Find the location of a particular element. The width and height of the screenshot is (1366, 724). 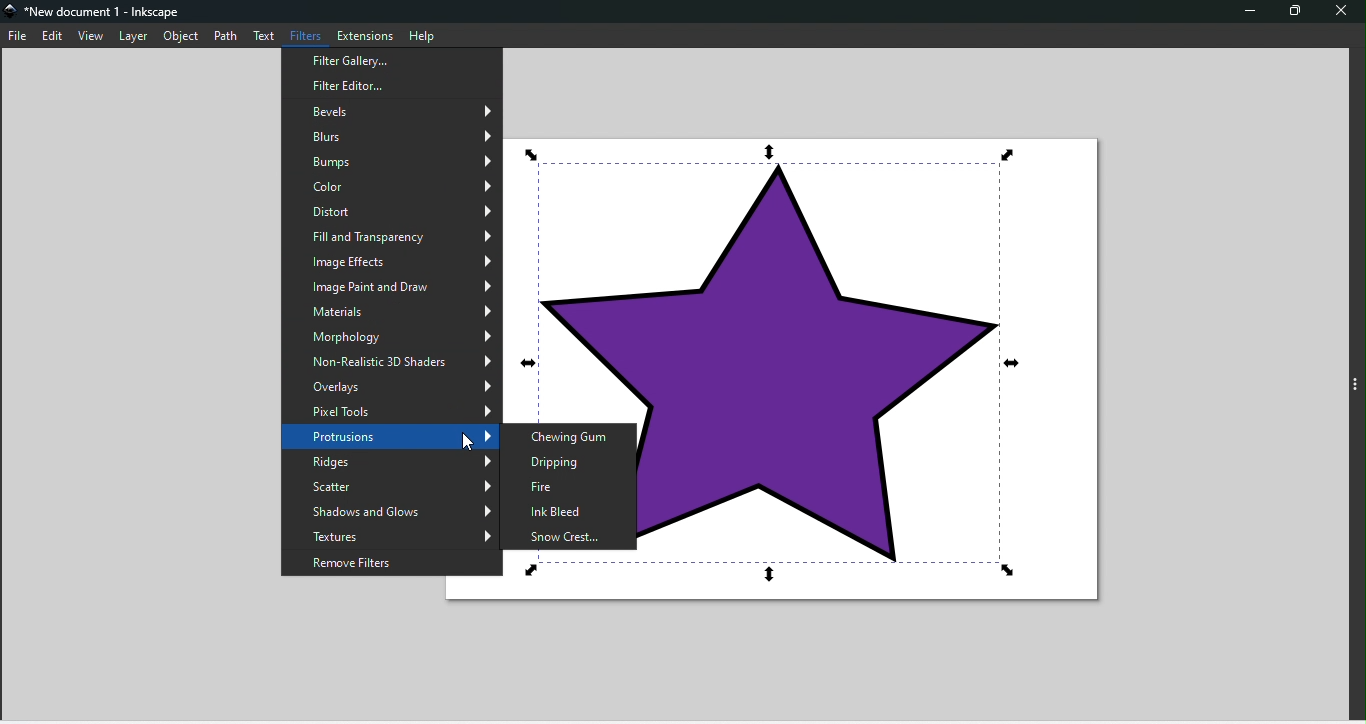

Image effects is located at coordinates (393, 259).